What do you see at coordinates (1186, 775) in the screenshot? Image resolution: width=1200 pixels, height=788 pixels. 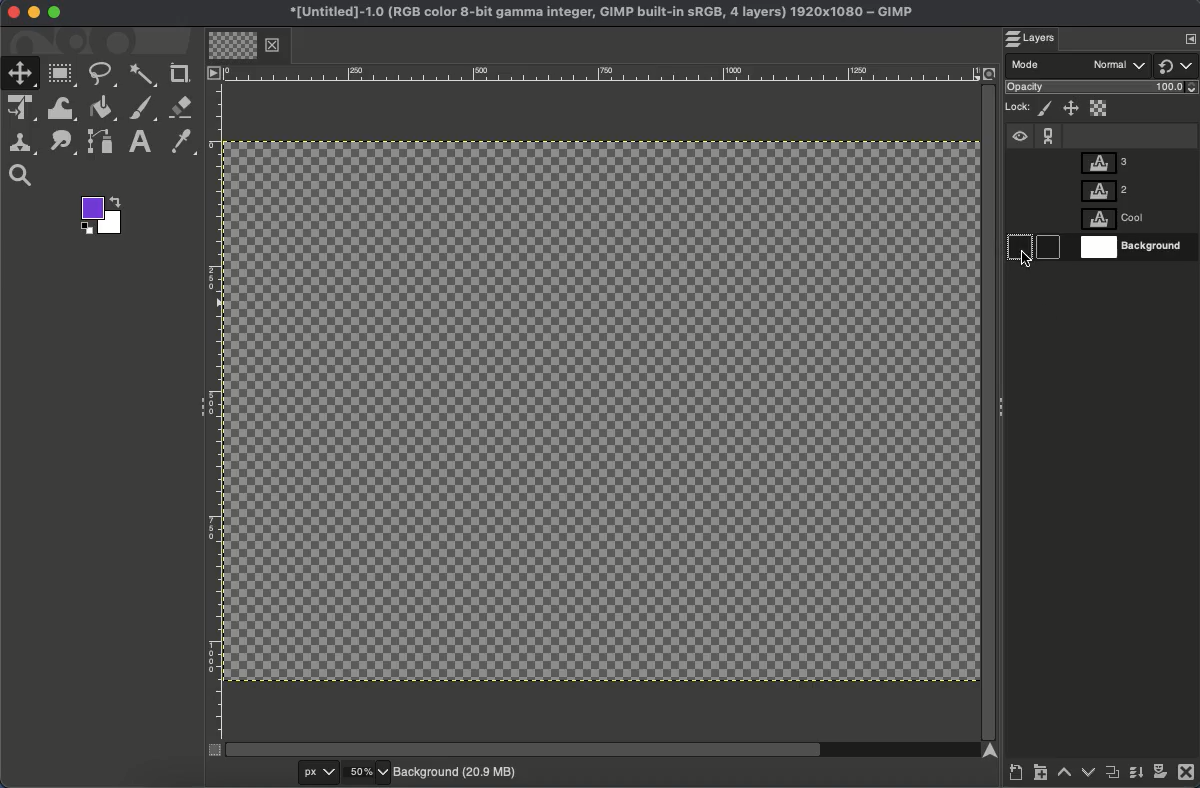 I see `Close` at bounding box center [1186, 775].